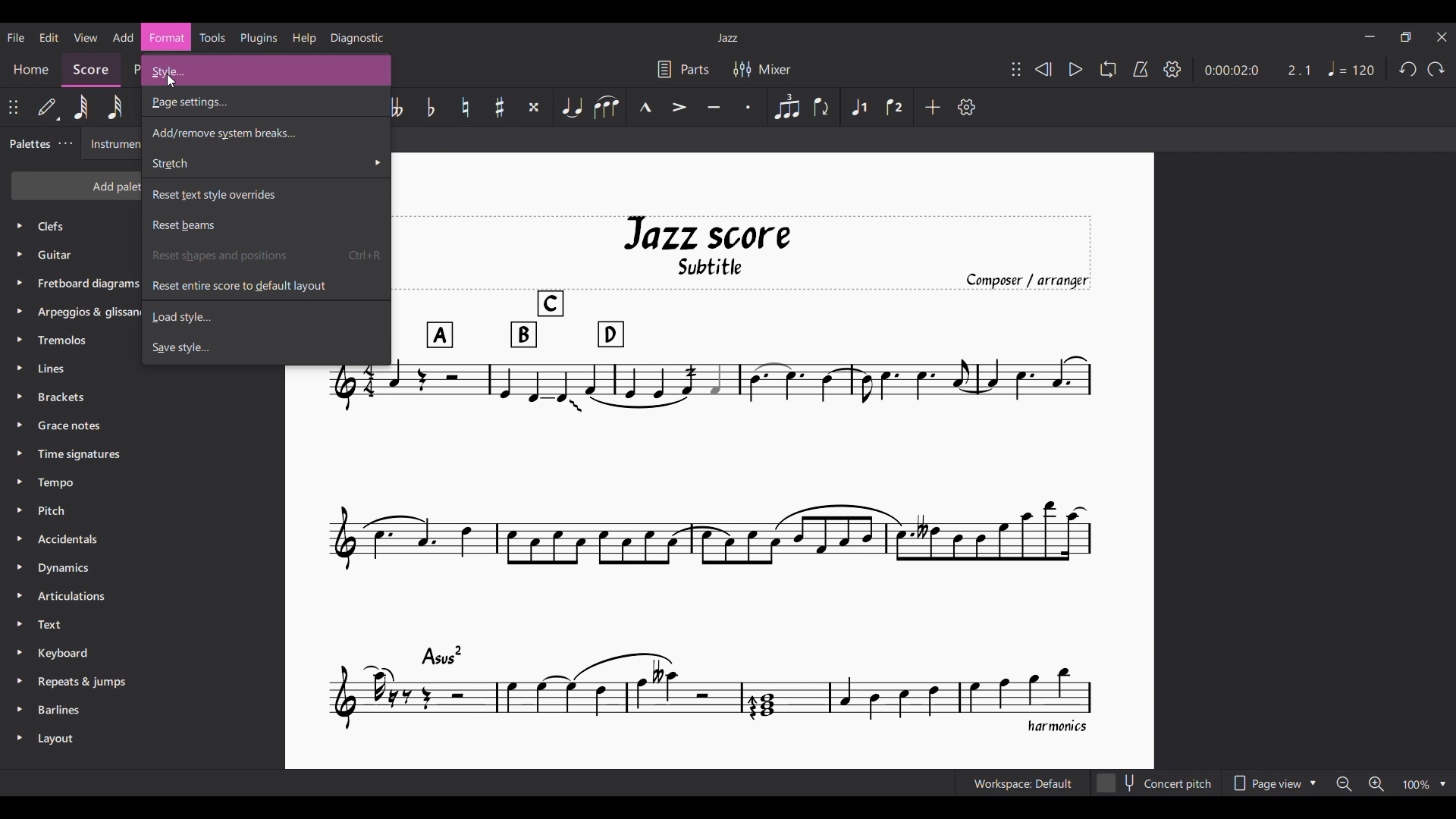  I want to click on Page settings, so click(239, 102).